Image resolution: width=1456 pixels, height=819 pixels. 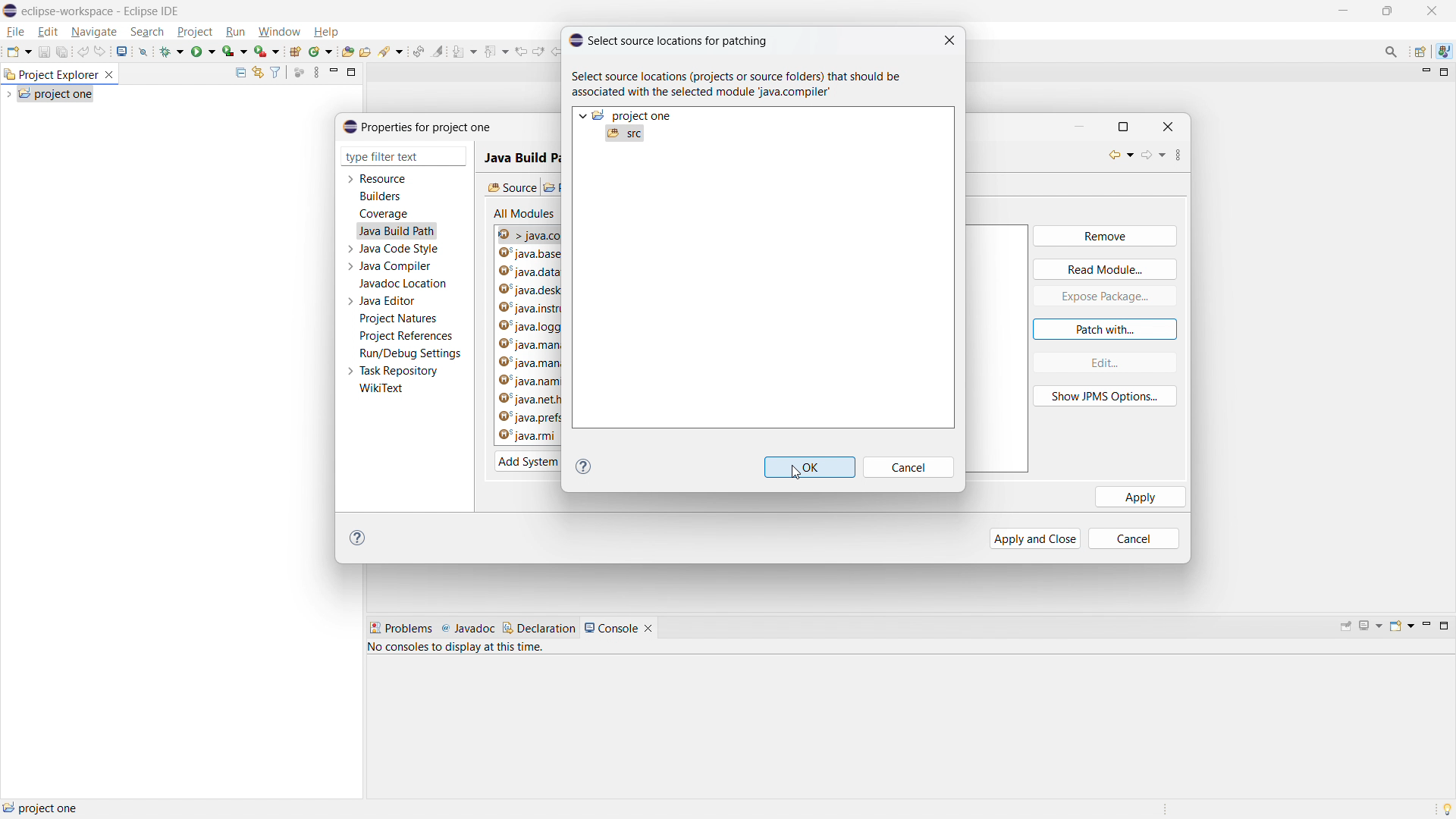 What do you see at coordinates (397, 266) in the screenshot?
I see `java compiler` at bounding box center [397, 266].